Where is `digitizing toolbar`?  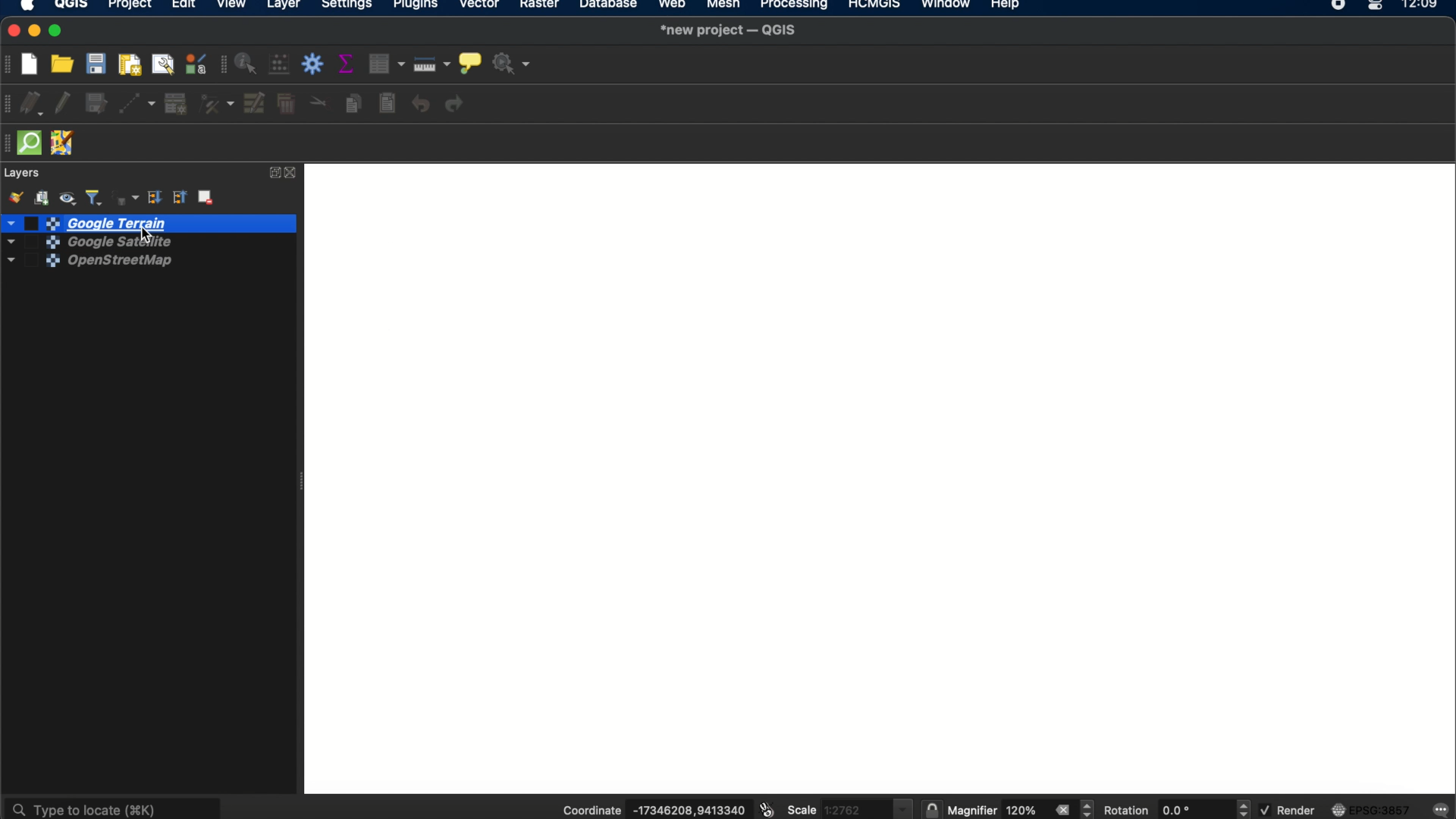
digitizing toolbar is located at coordinates (9, 105).